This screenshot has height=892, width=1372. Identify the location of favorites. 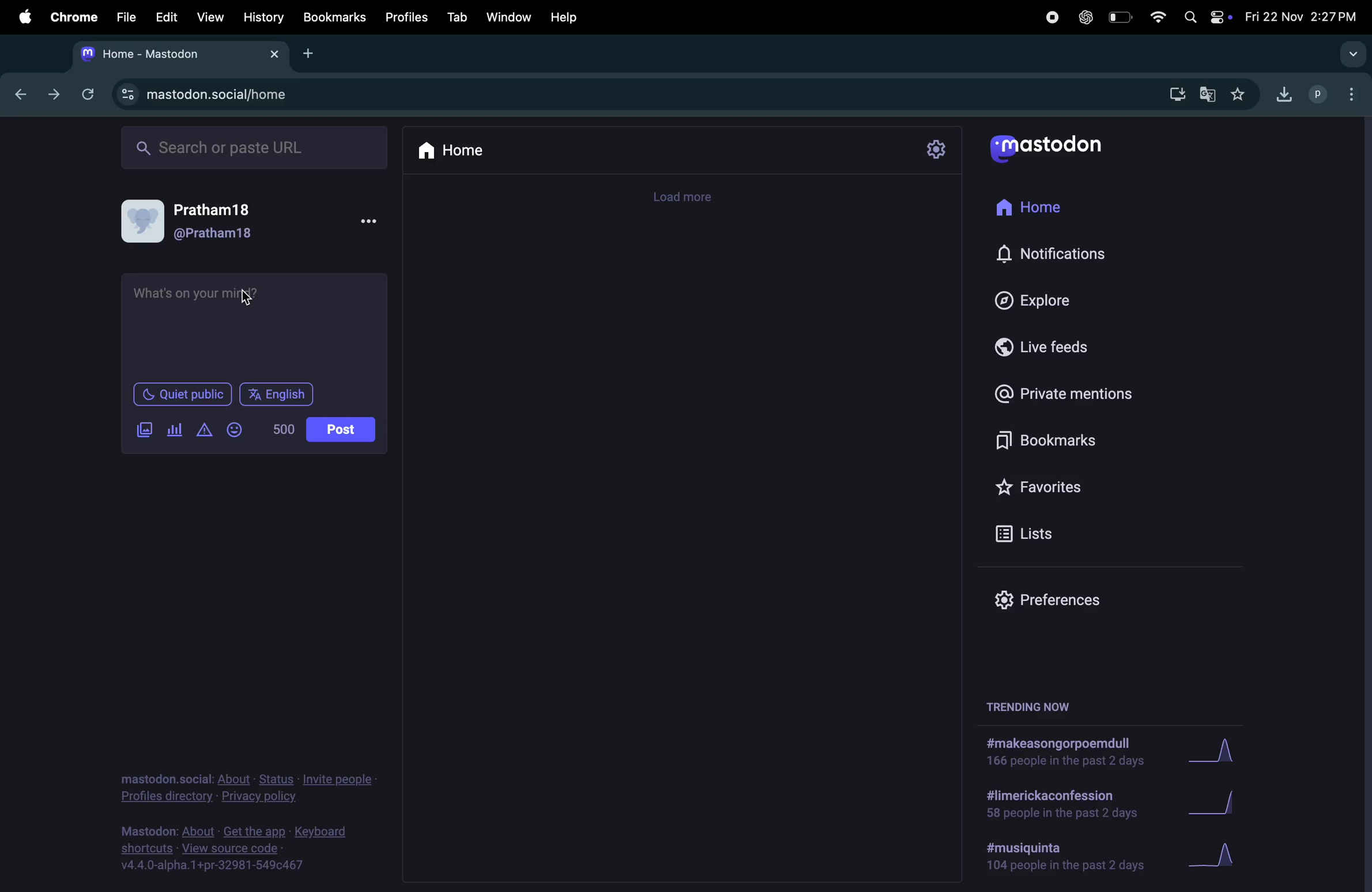
(1087, 488).